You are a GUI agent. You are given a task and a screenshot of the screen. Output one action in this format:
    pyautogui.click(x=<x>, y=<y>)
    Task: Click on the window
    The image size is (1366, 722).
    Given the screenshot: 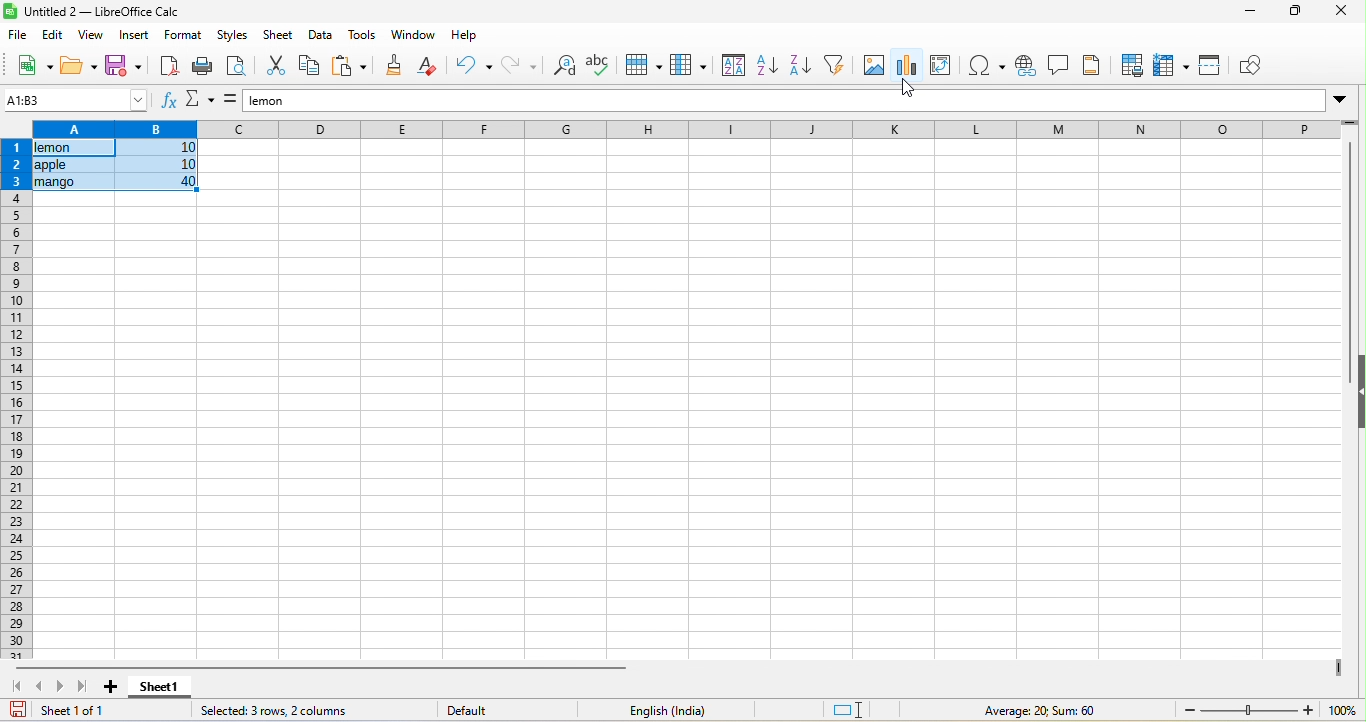 What is the action you would take?
    pyautogui.click(x=415, y=34)
    